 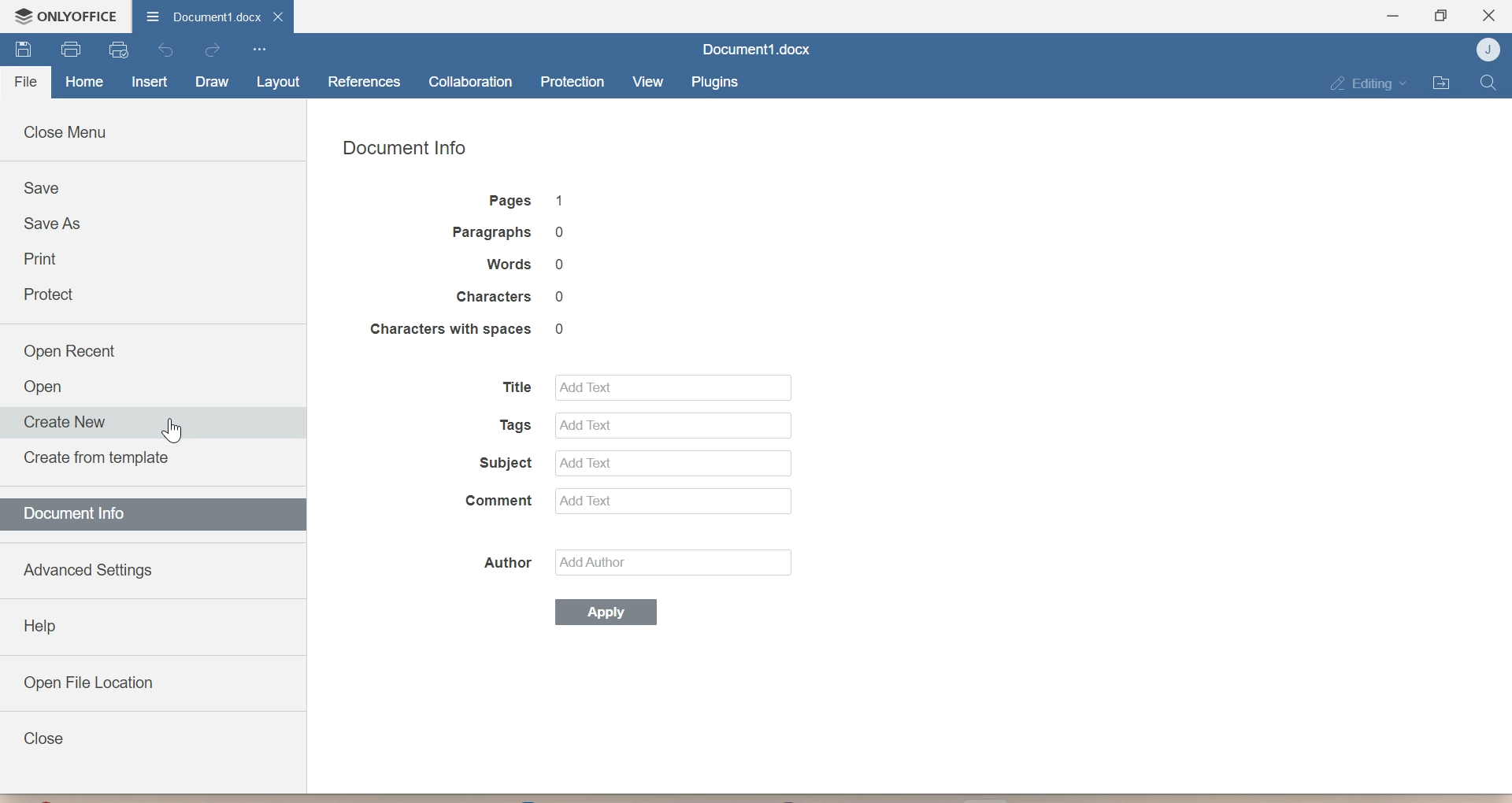 I want to click on Home, so click(x=83, y=83).